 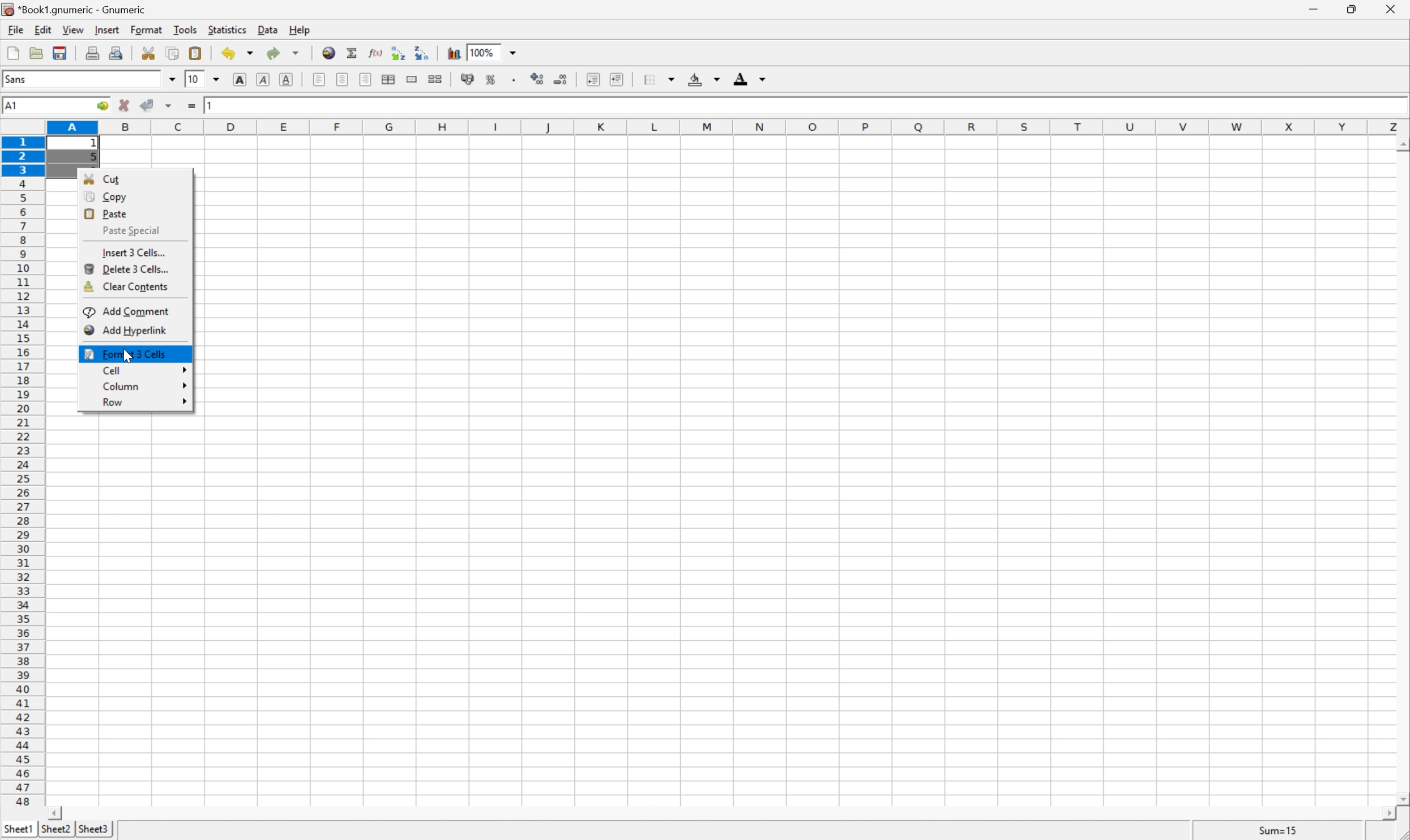 I want to click on file, so click(x=14, y=28).